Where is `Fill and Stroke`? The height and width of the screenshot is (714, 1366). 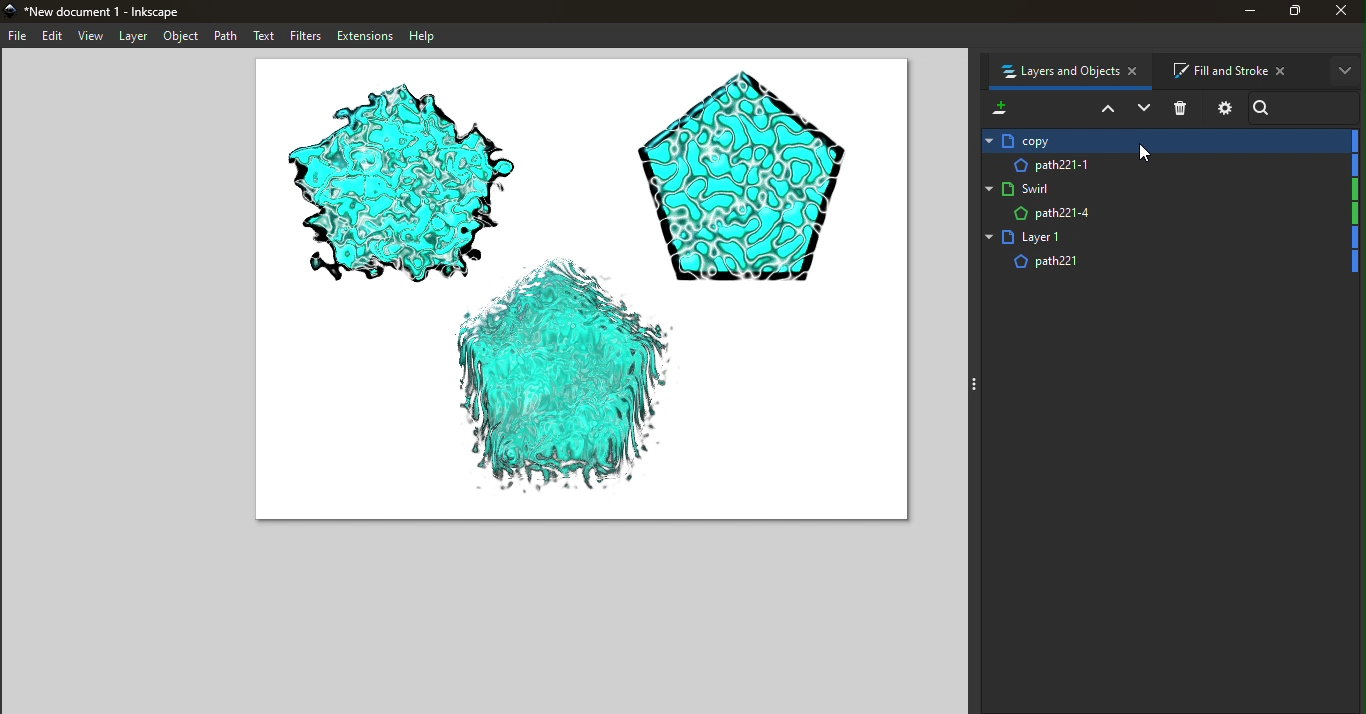
Fill and Stroke is located at coordinates (1237, 71).